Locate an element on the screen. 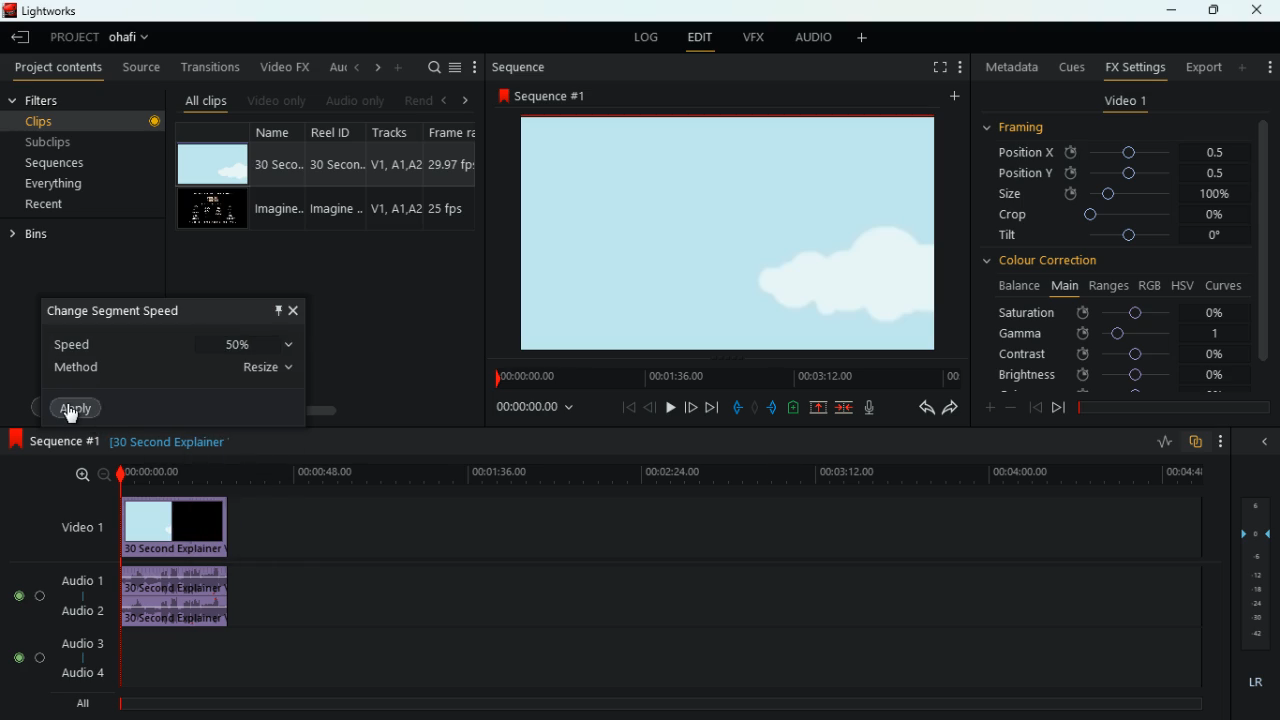 Image resolution: width=1280 pixels, height=720 pixels. pin is located at coordinates (275, 309).